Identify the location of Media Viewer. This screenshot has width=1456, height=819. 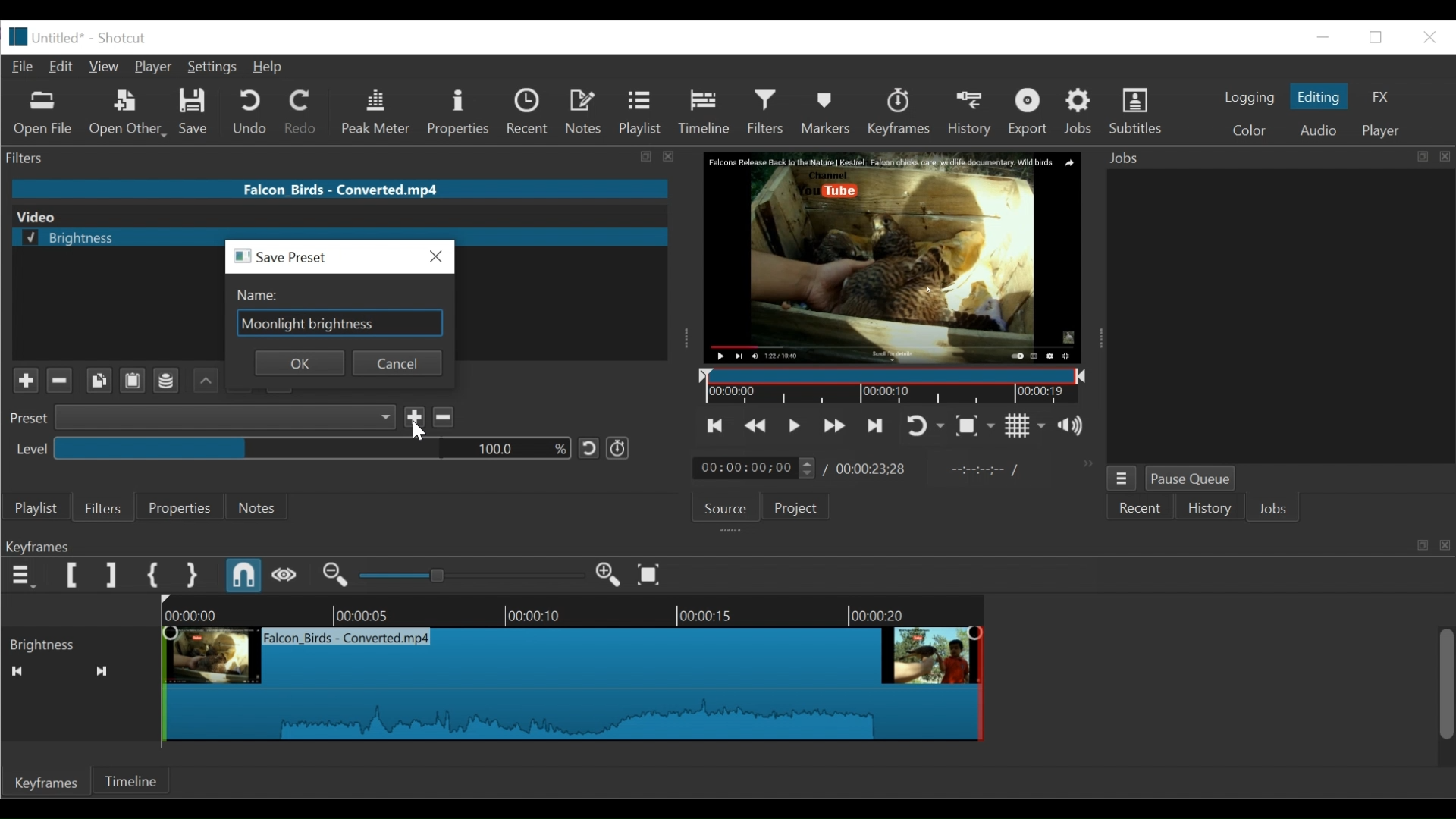
(890, 257).